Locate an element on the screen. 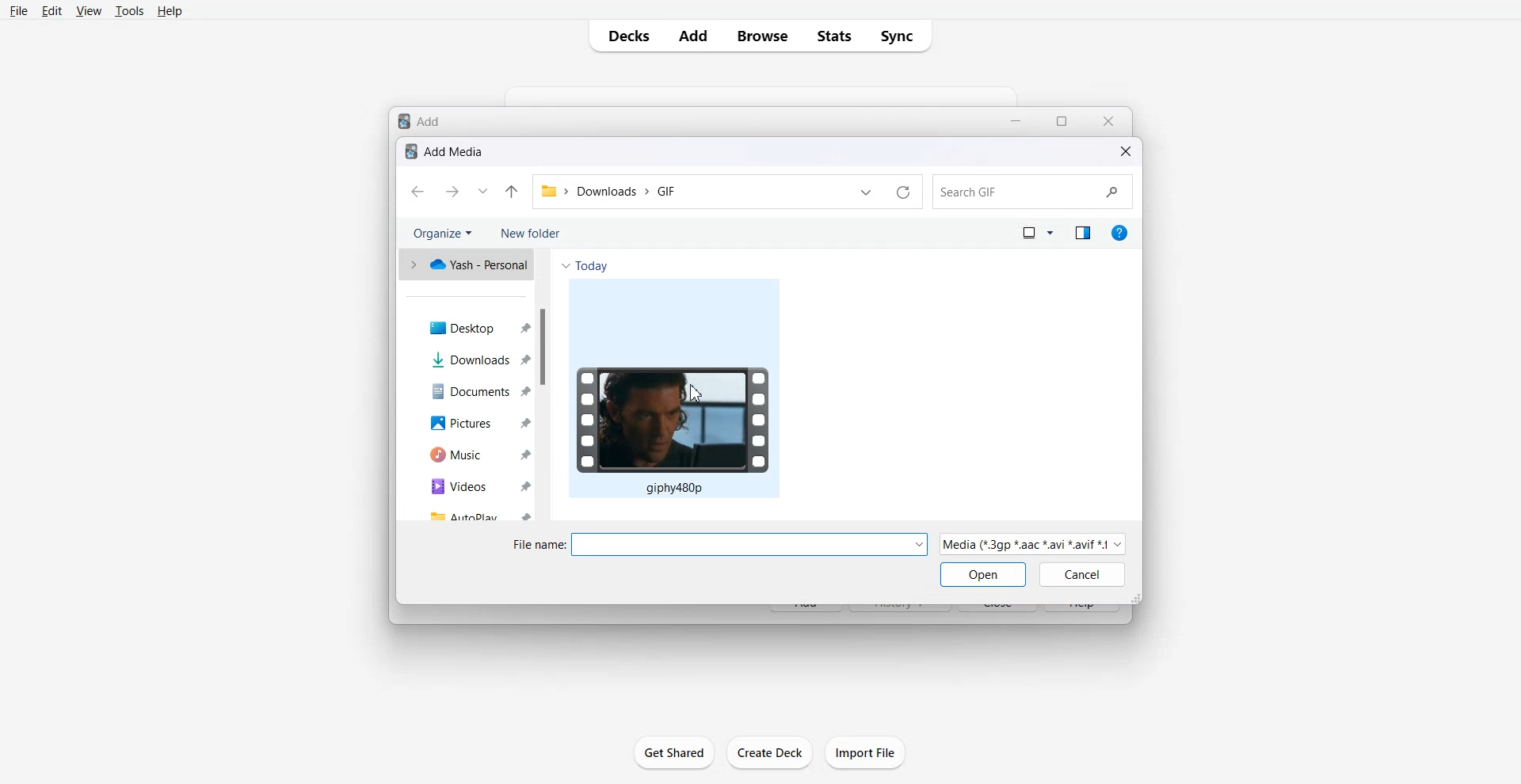 This screenshot has width=1521, height=784. Cursor is located at coordinates (697, 397).